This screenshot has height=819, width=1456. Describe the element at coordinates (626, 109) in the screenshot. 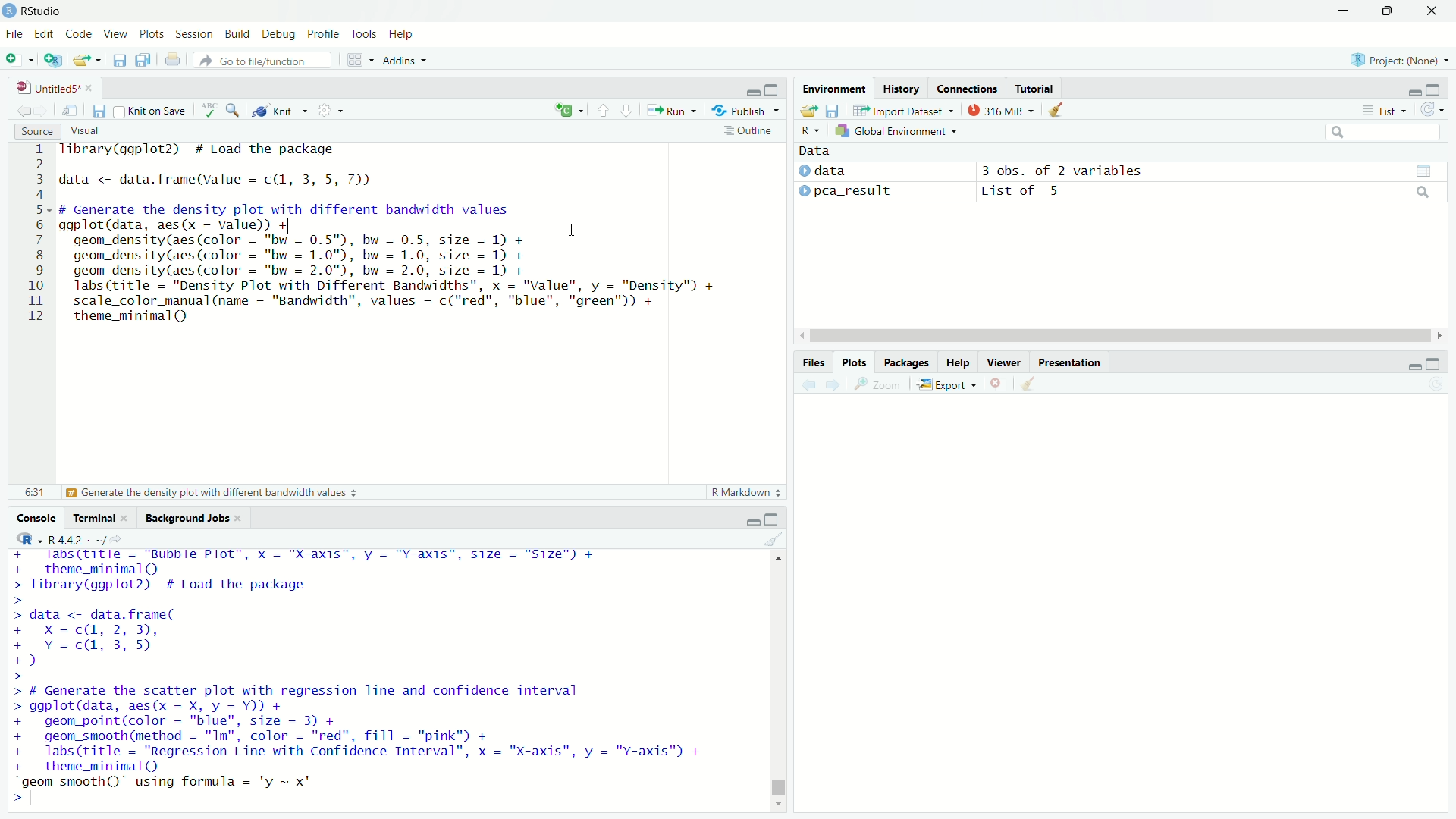

I see `Go to next section/chunk` at that location.